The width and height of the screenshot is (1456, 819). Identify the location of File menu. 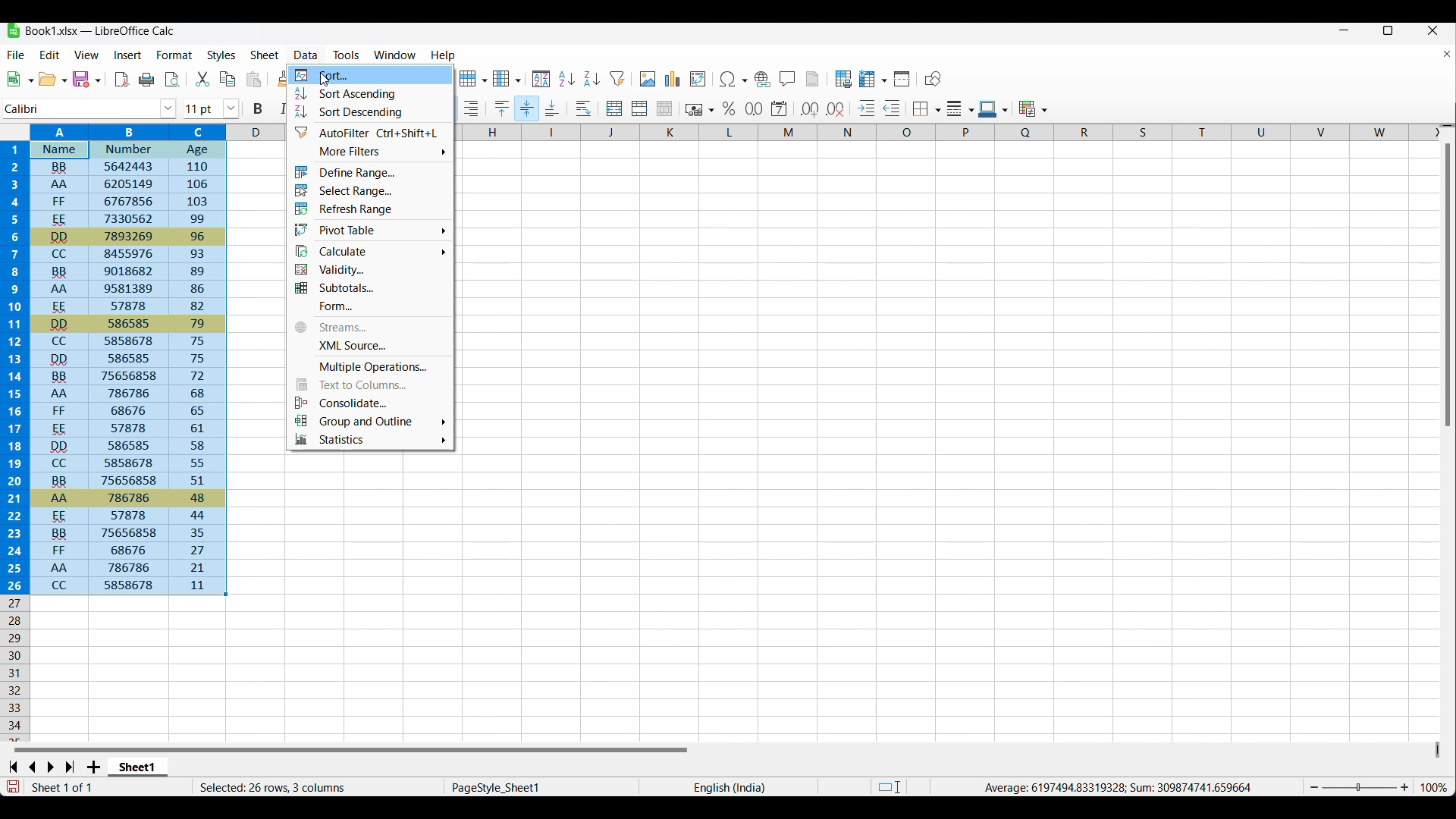
(17, 55).